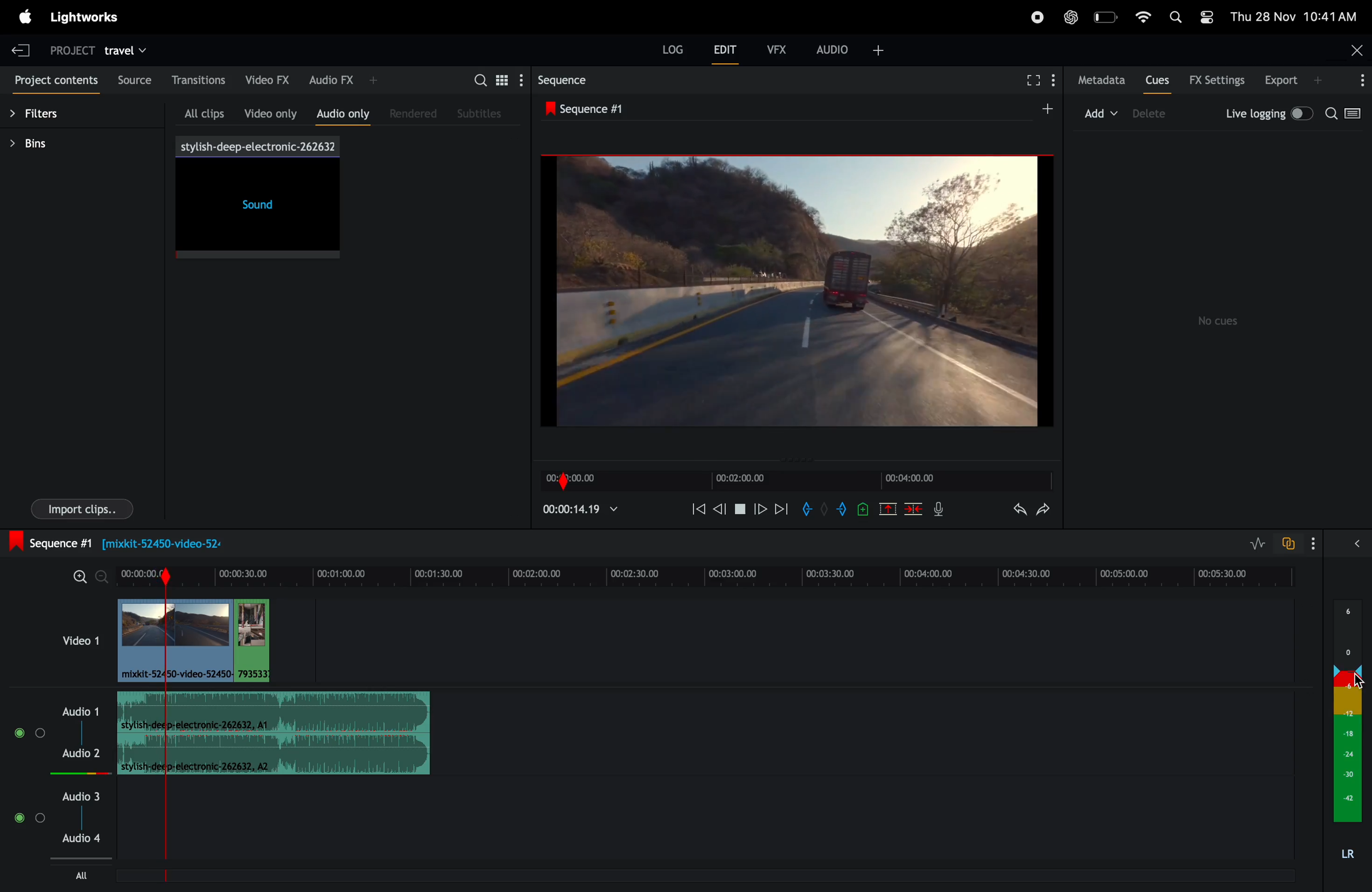 The image size is (1372, 892). I want to click on move forward, so click(782, 508).